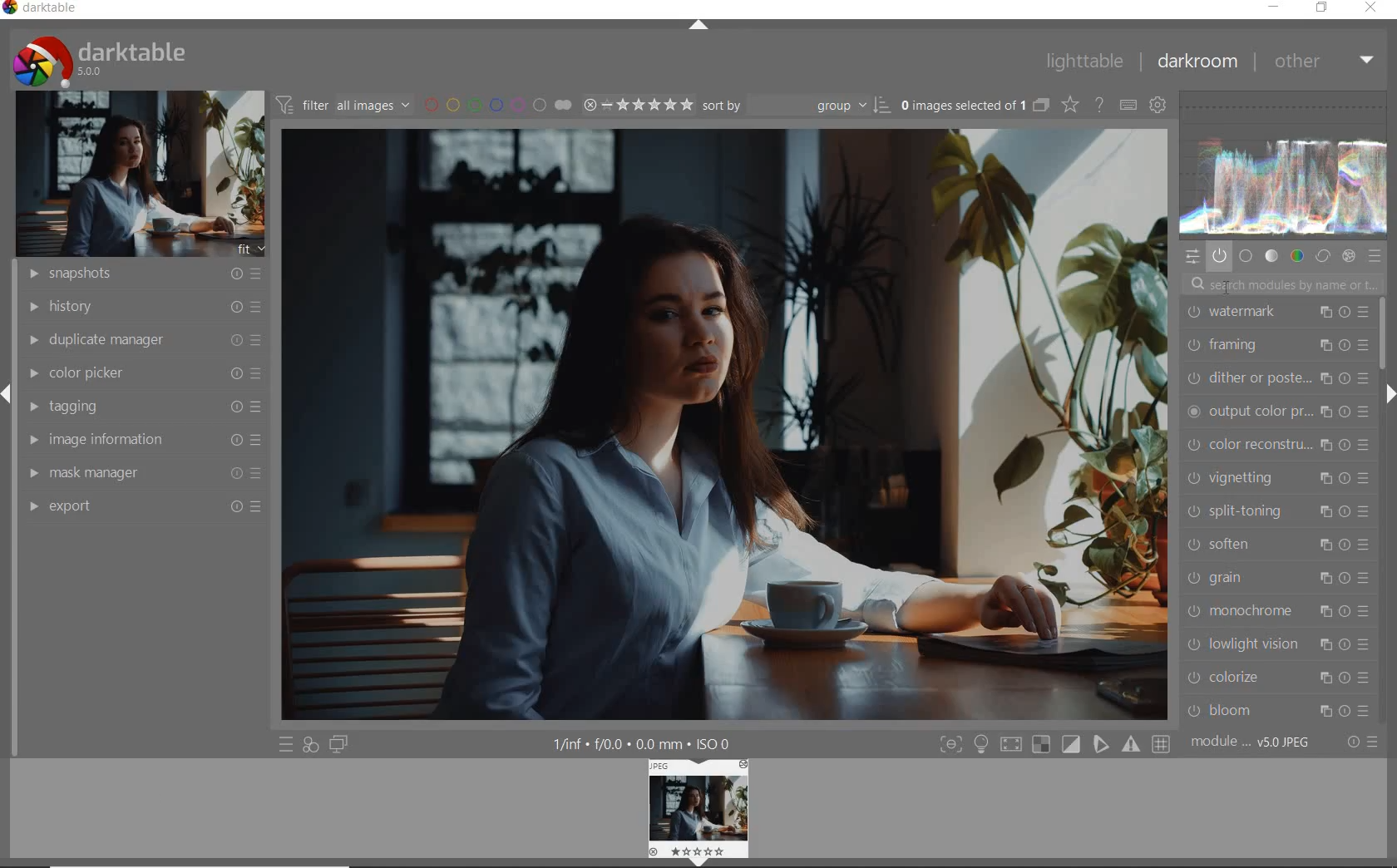 This screenshot has height=868, width=1397. Describe the element at coordinates (1072, 104) in the screenshot. I see `change type of overlays` at that location.